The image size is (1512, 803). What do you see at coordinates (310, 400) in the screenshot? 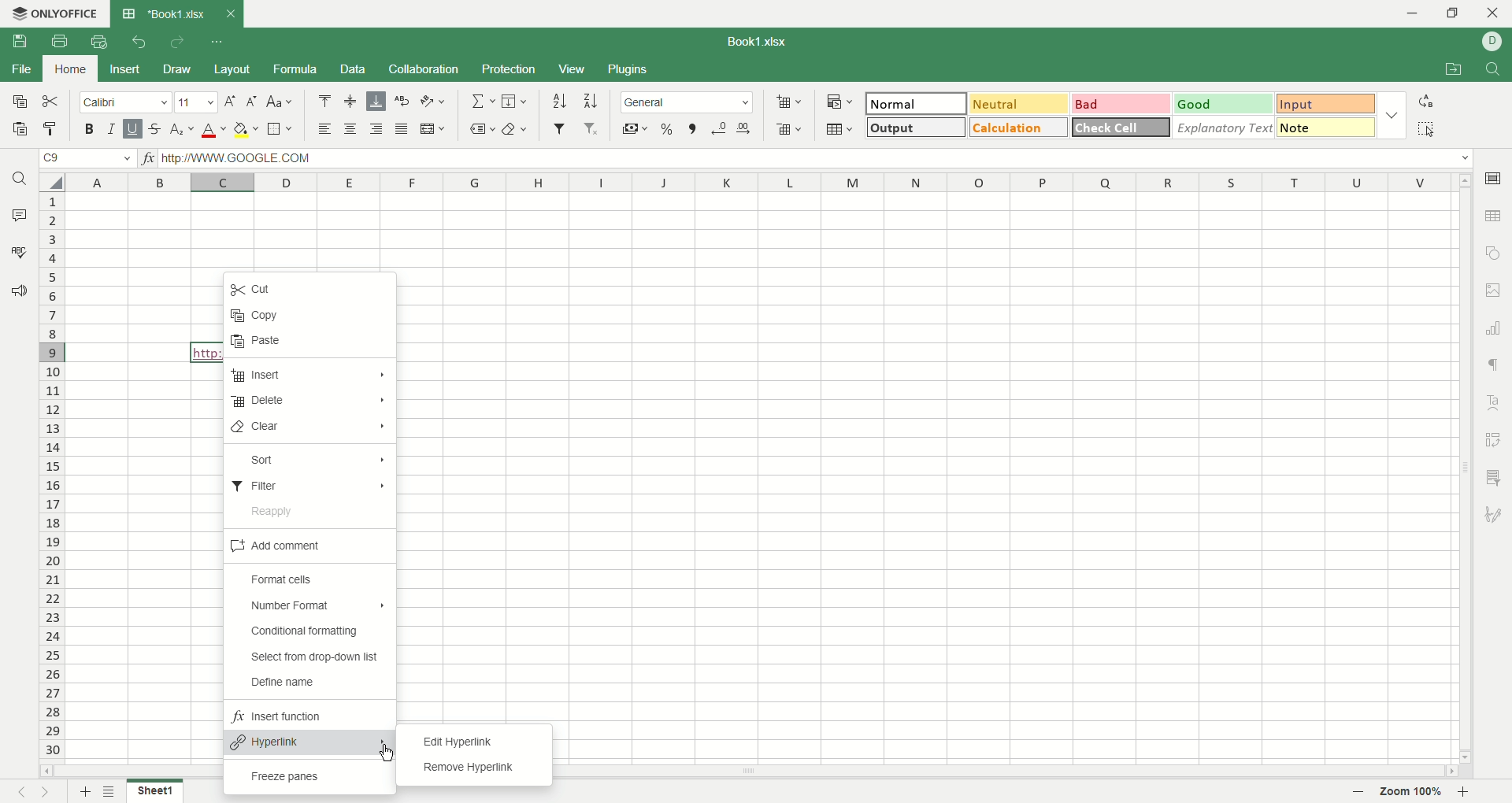
I see `delete` at bounding box center [310, 400].